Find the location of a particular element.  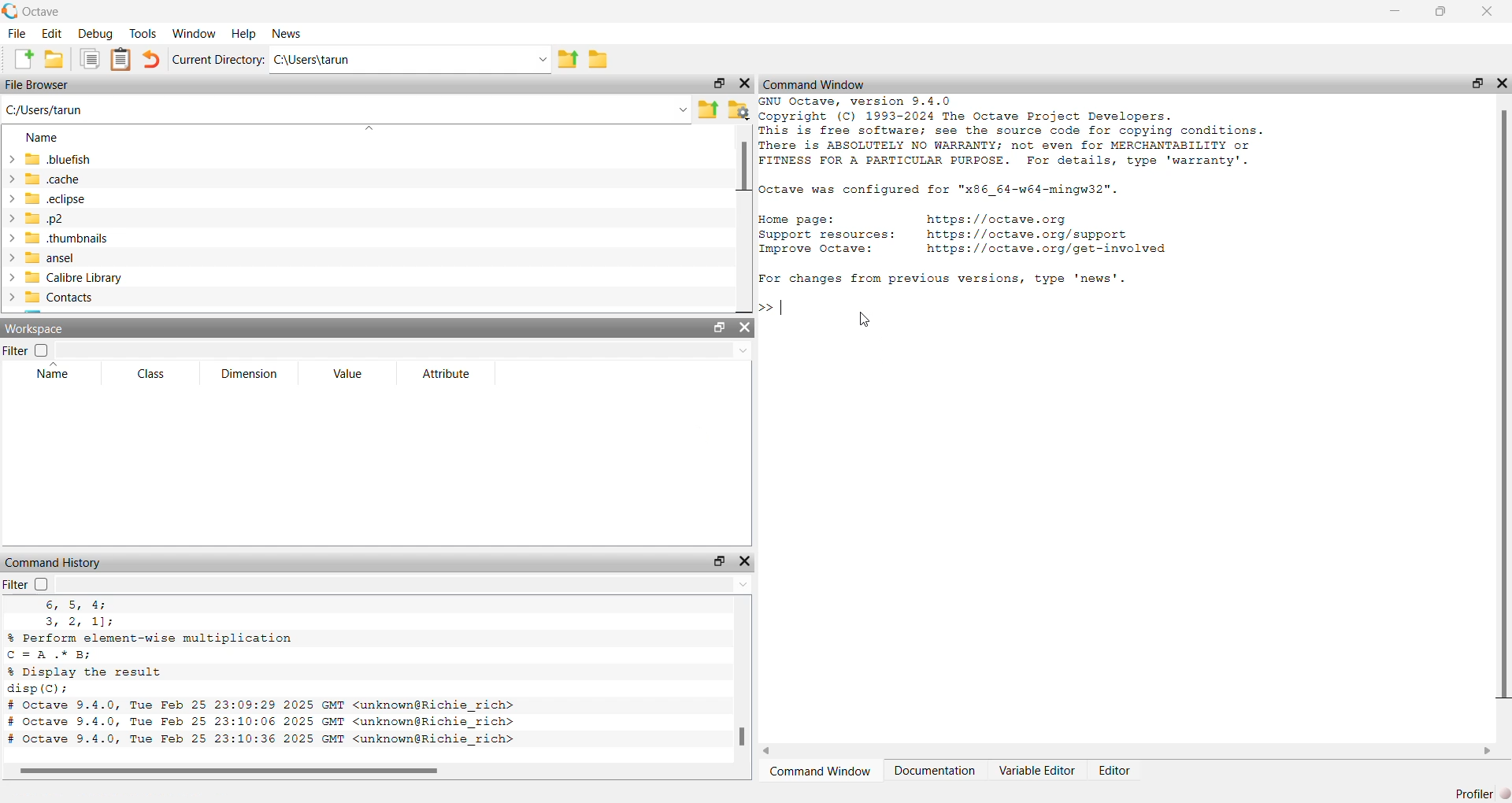

Restore Down is located at coordinates (1443, 12).